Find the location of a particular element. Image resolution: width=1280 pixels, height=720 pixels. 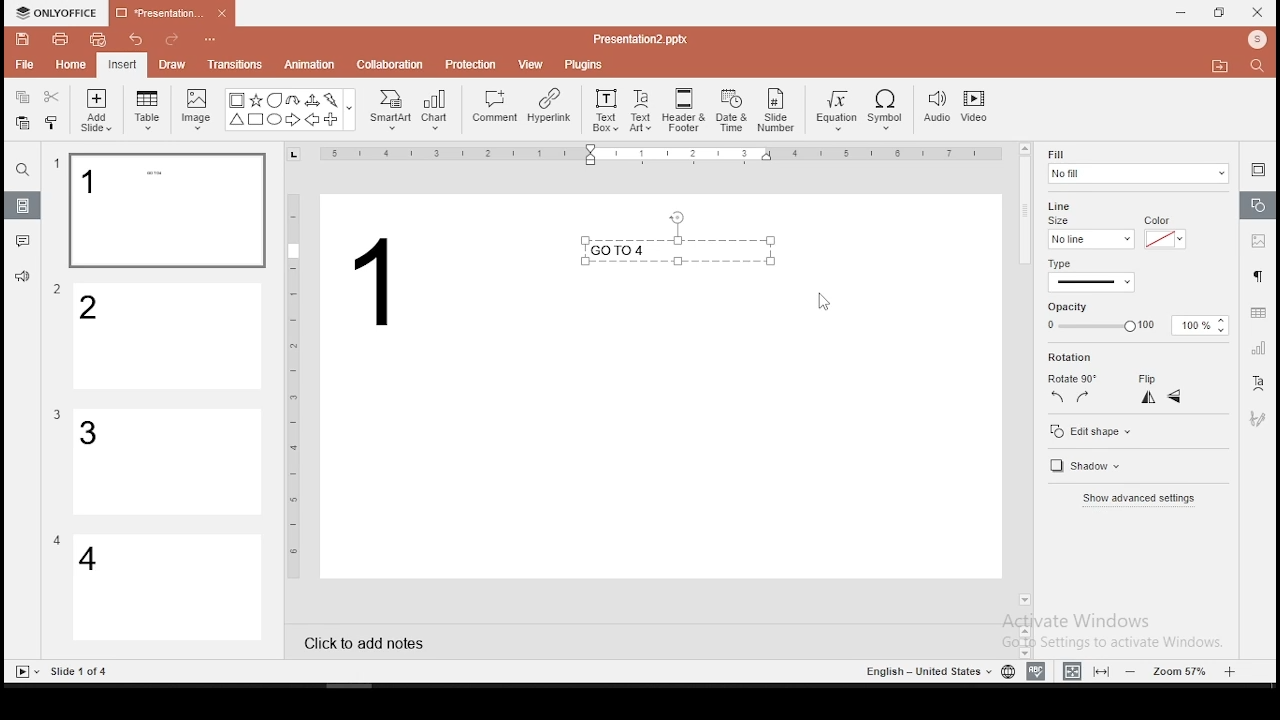

Move to folder is located at coordinates (1223, 68).